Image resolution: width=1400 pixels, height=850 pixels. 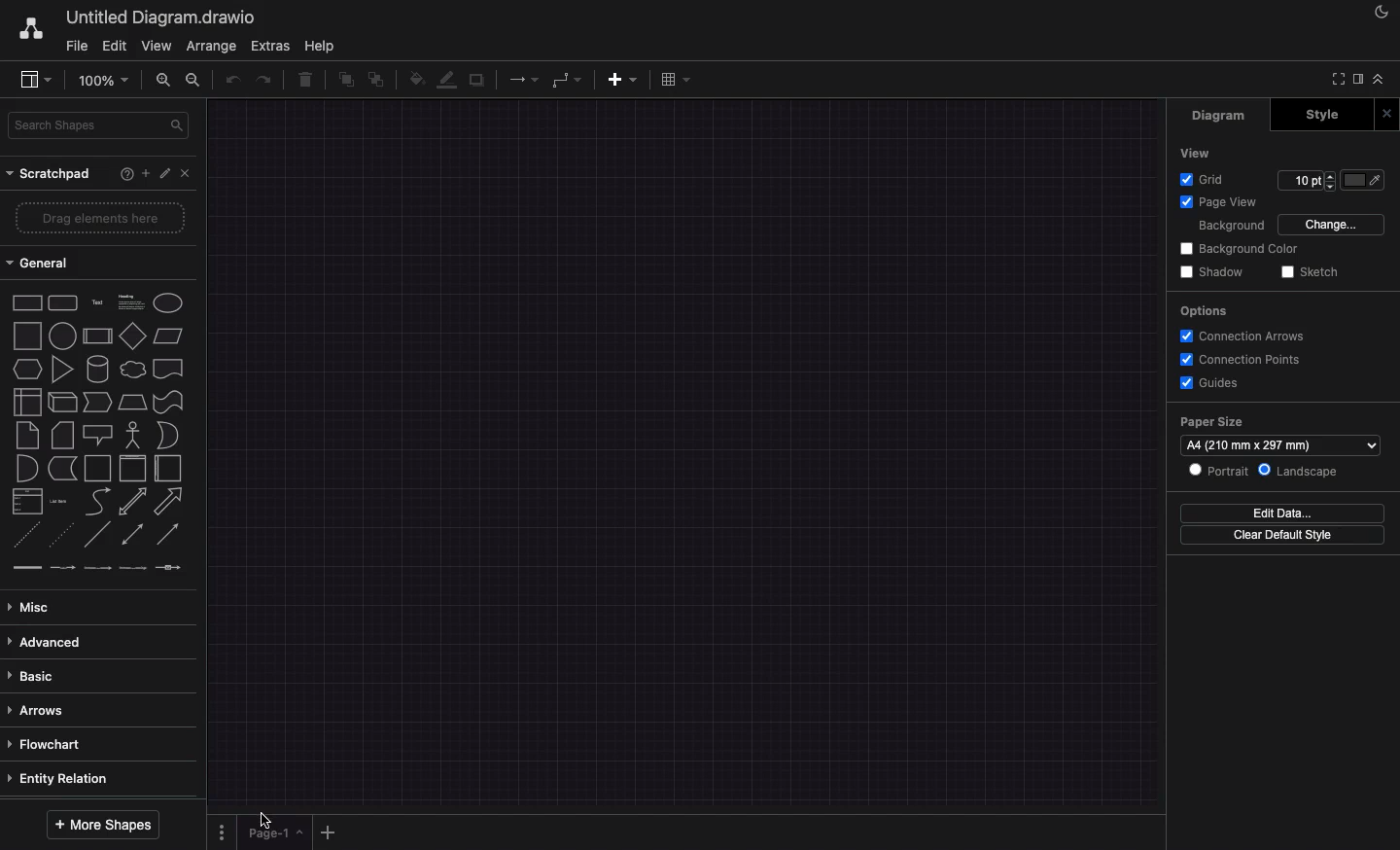 What do you see at coordinates (196, 81) in the screenshot?
I see `zoom out` at bounding box center [196, 81].